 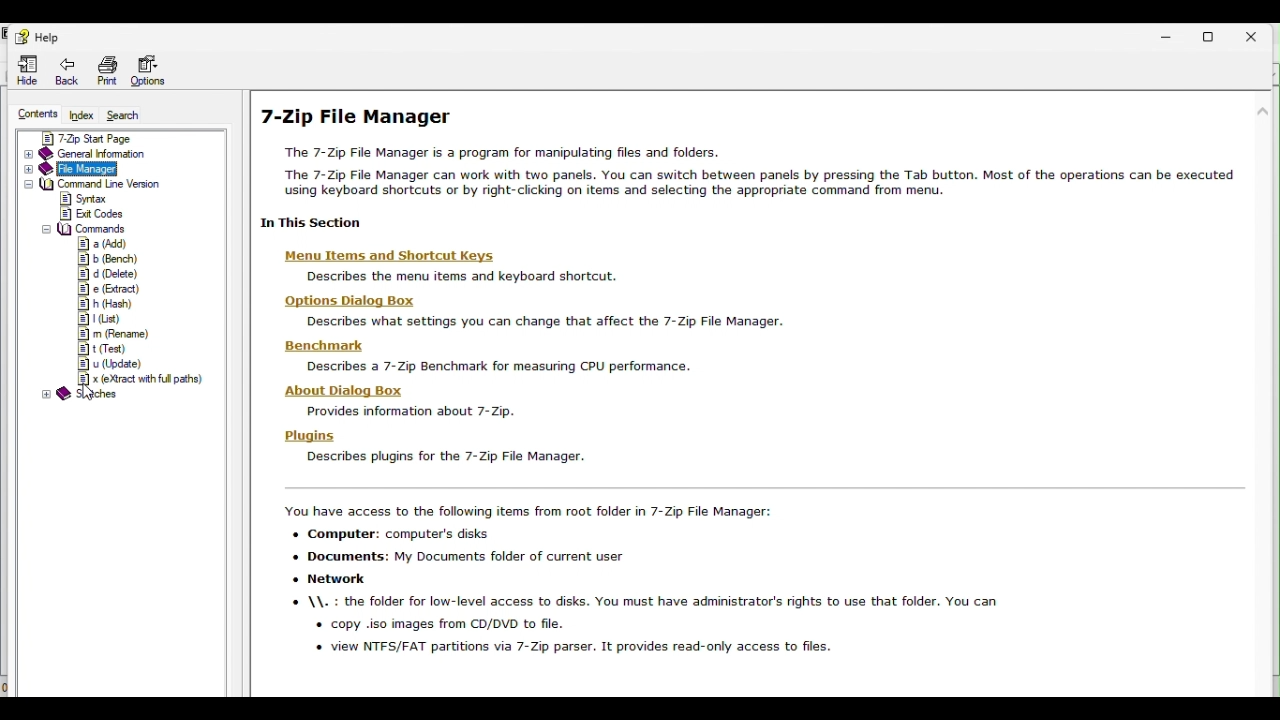 I want to click on Describes what settings you can change that affect the 7-Zip File Manager., so click(x=545, y=322).